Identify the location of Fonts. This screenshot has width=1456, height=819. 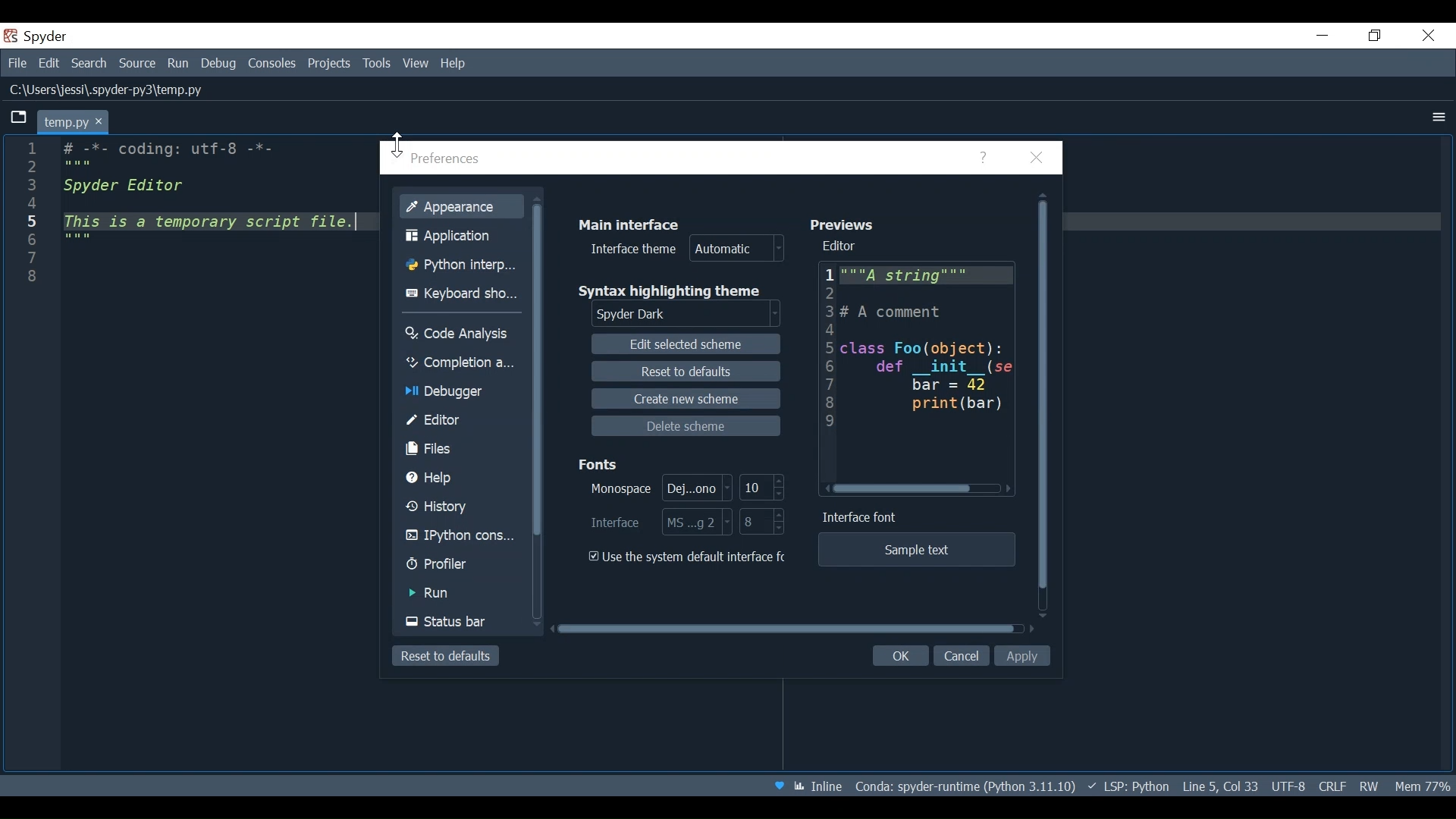
(601, 462).